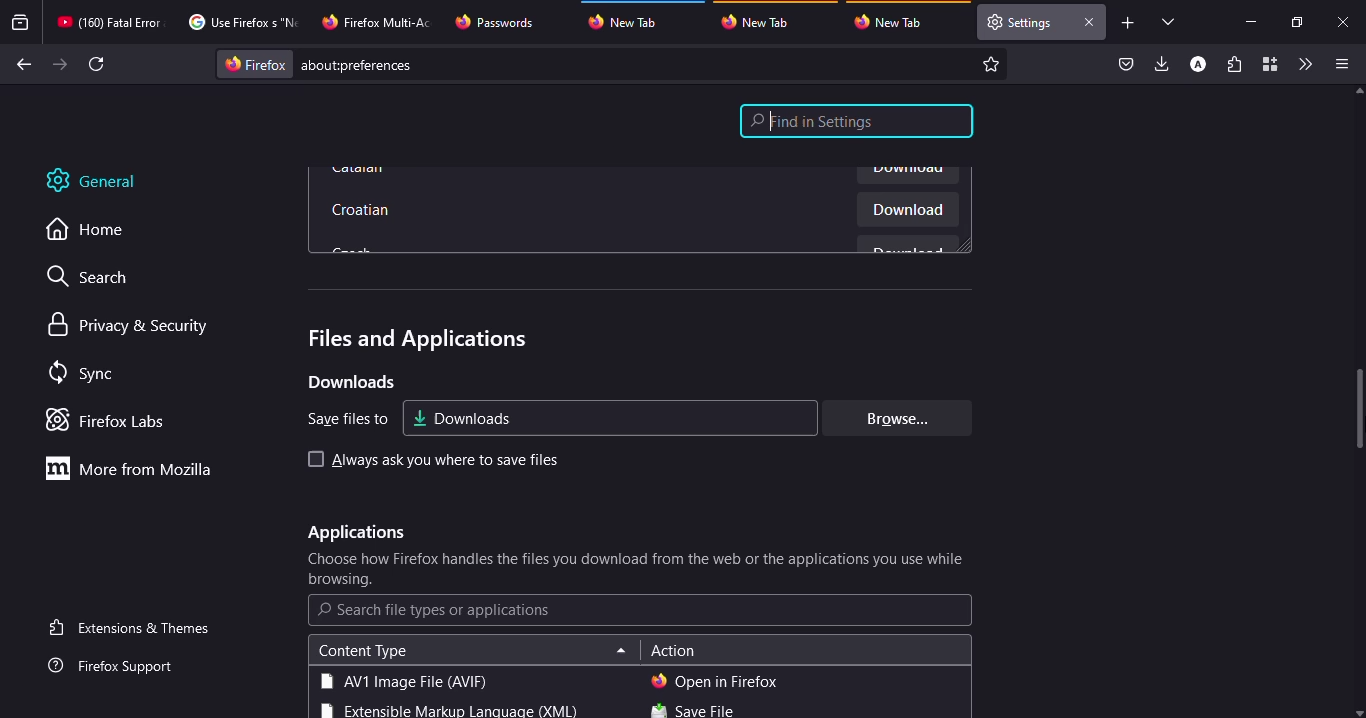 The image size is (1366, 718). Describe the element at coordinates (1345, 23) in the screenshot. I see `close` at that location.